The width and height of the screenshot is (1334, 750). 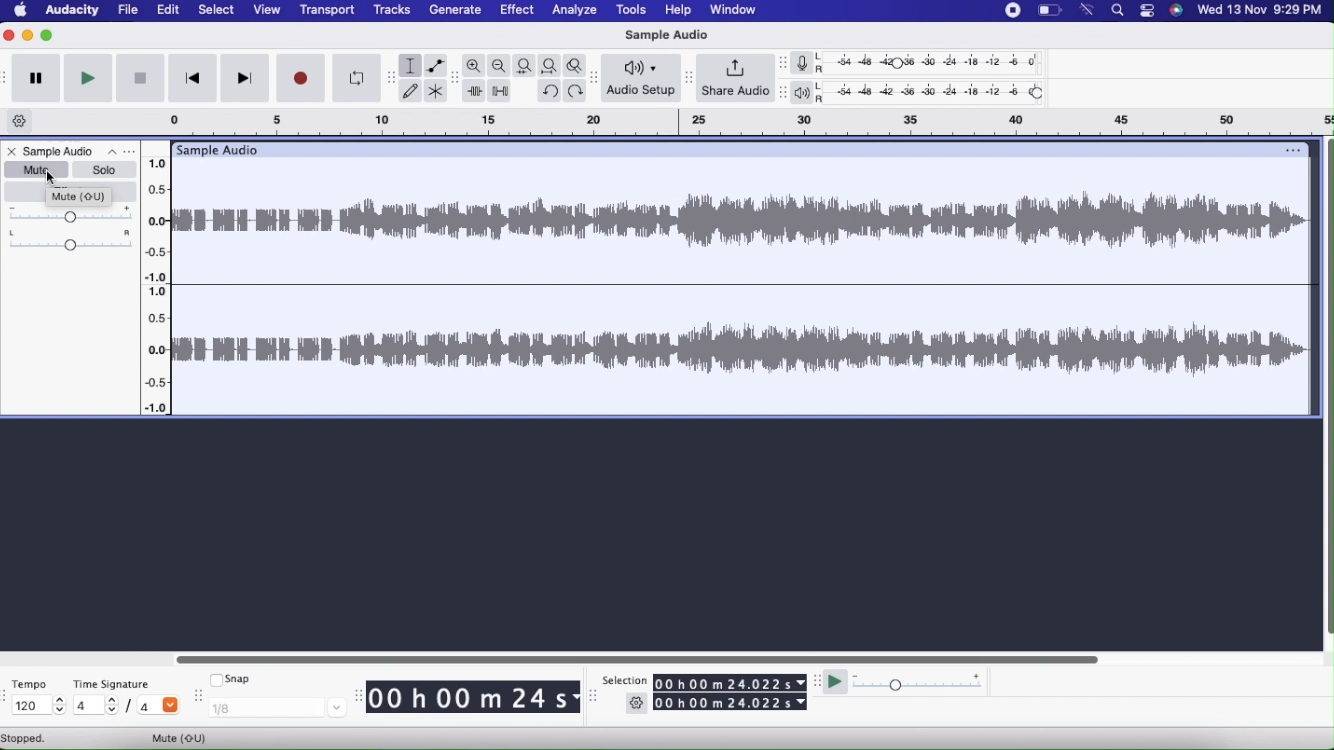 What do you see at coordinates (219, 149) in the screenshot?
I see `Sample Audio` at bounding box center [219, 149].